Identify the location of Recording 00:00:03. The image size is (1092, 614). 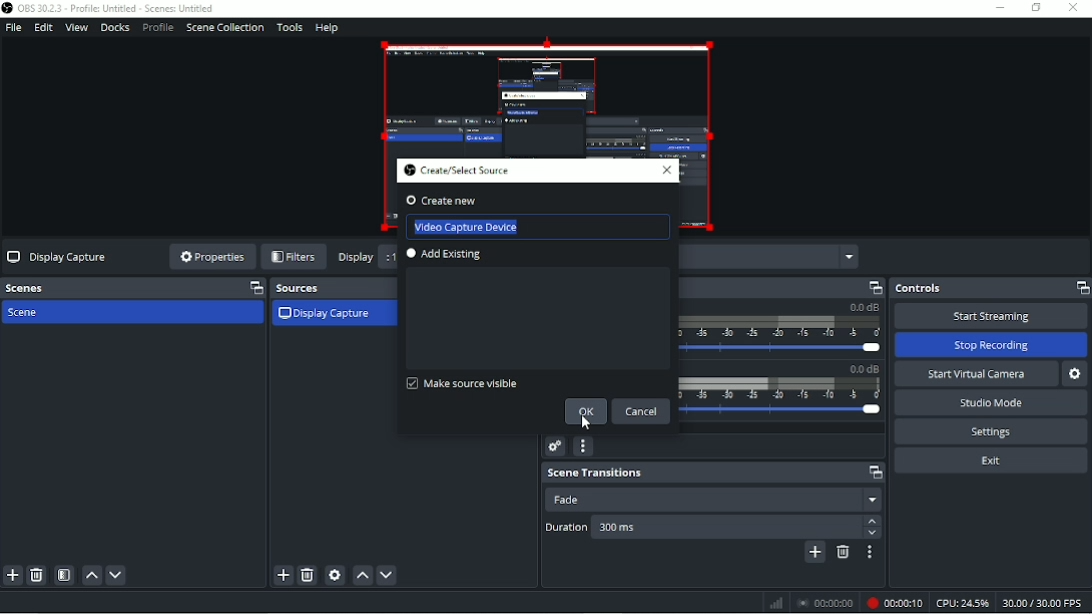
(895, 603).